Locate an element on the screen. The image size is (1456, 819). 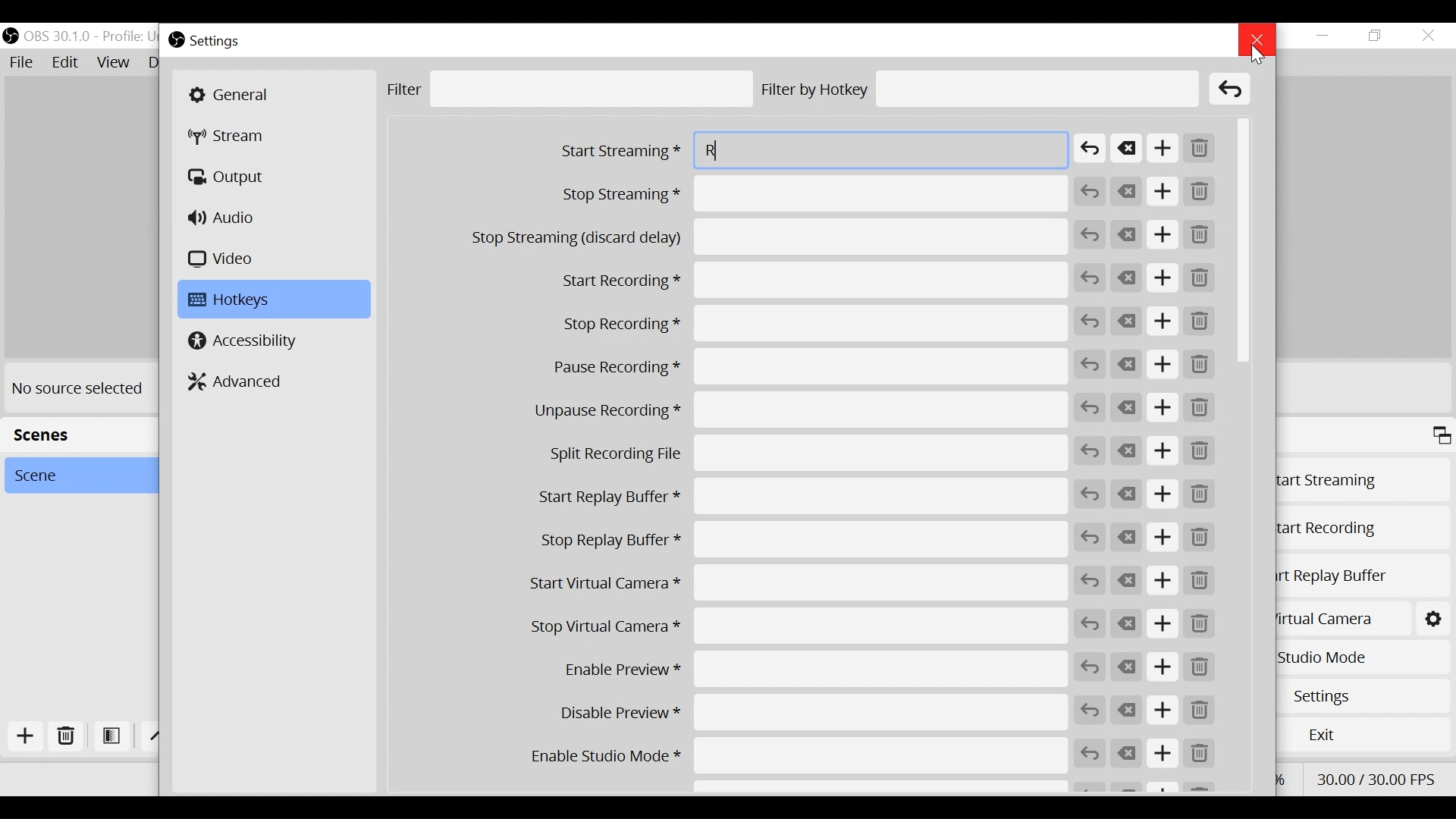
File is located at coordinates (24, 63).